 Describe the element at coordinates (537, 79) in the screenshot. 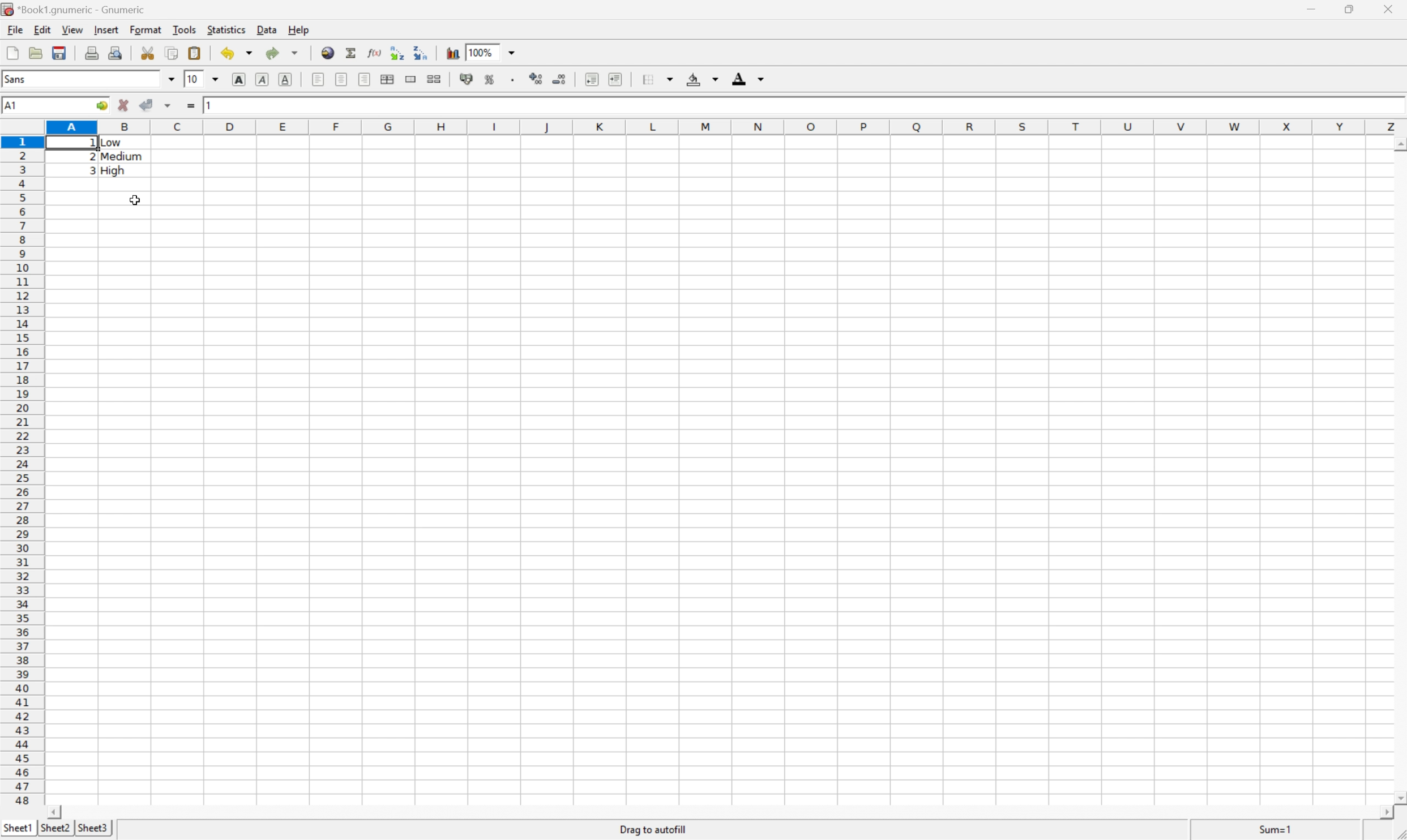

I see `Increase the number of Decimals displayed` at that location.